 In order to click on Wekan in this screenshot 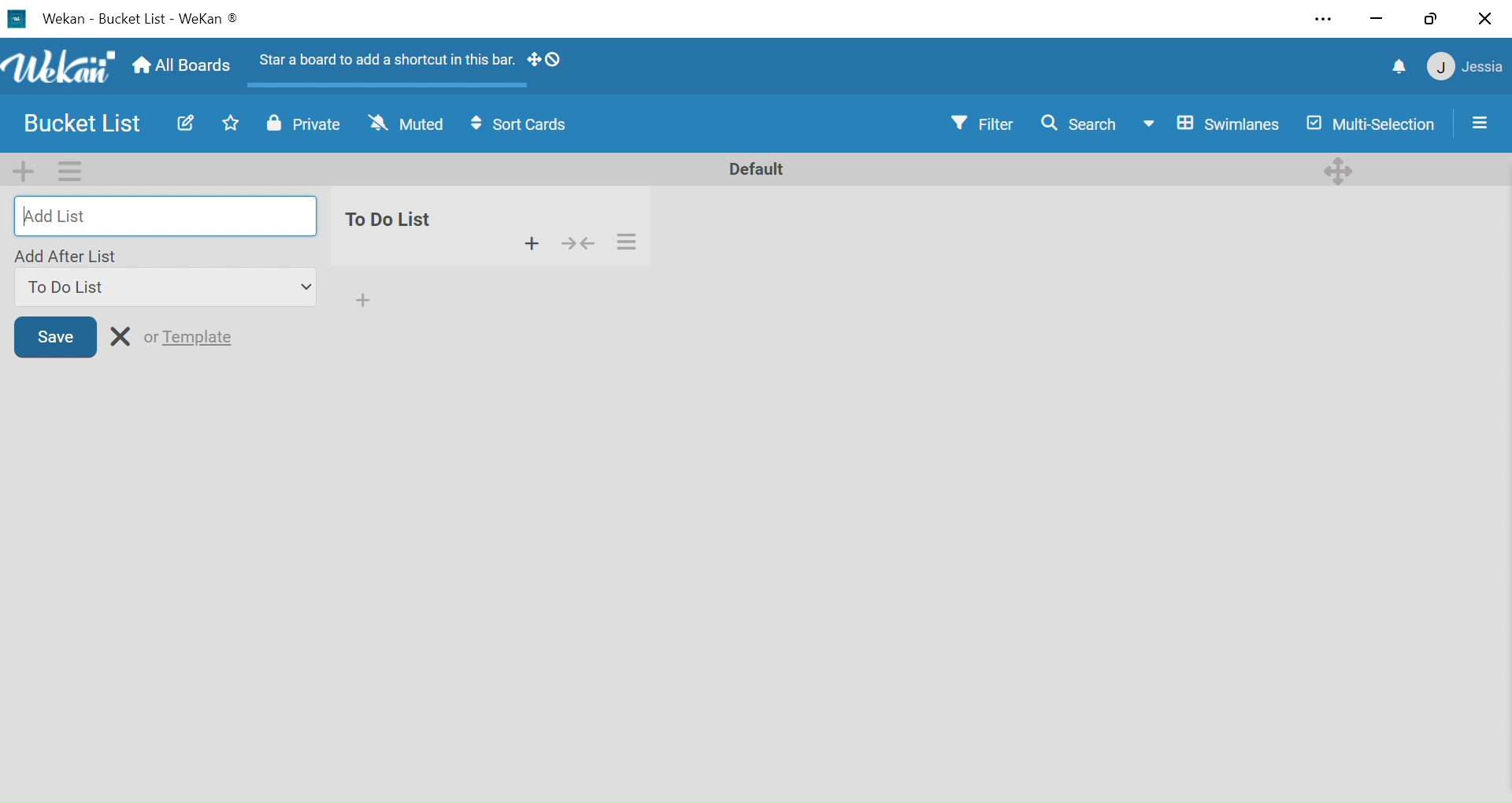, I will do `click(58, 67)`.